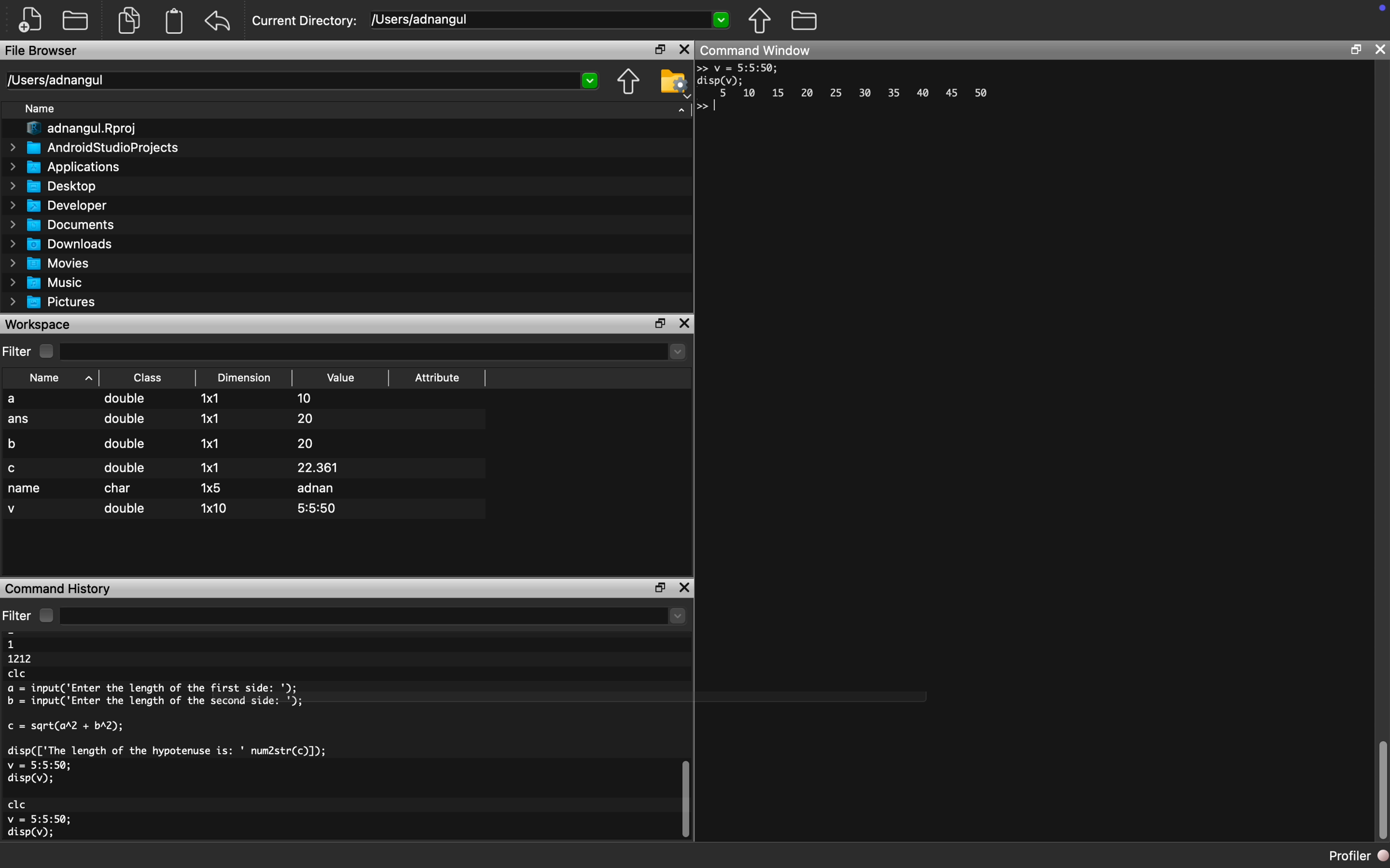 Image resolution: width=1390 pixels, height=868 pixels. Describe the element at coordinates (681, 109) in the screenshot. I see `Dropdown` at that location.